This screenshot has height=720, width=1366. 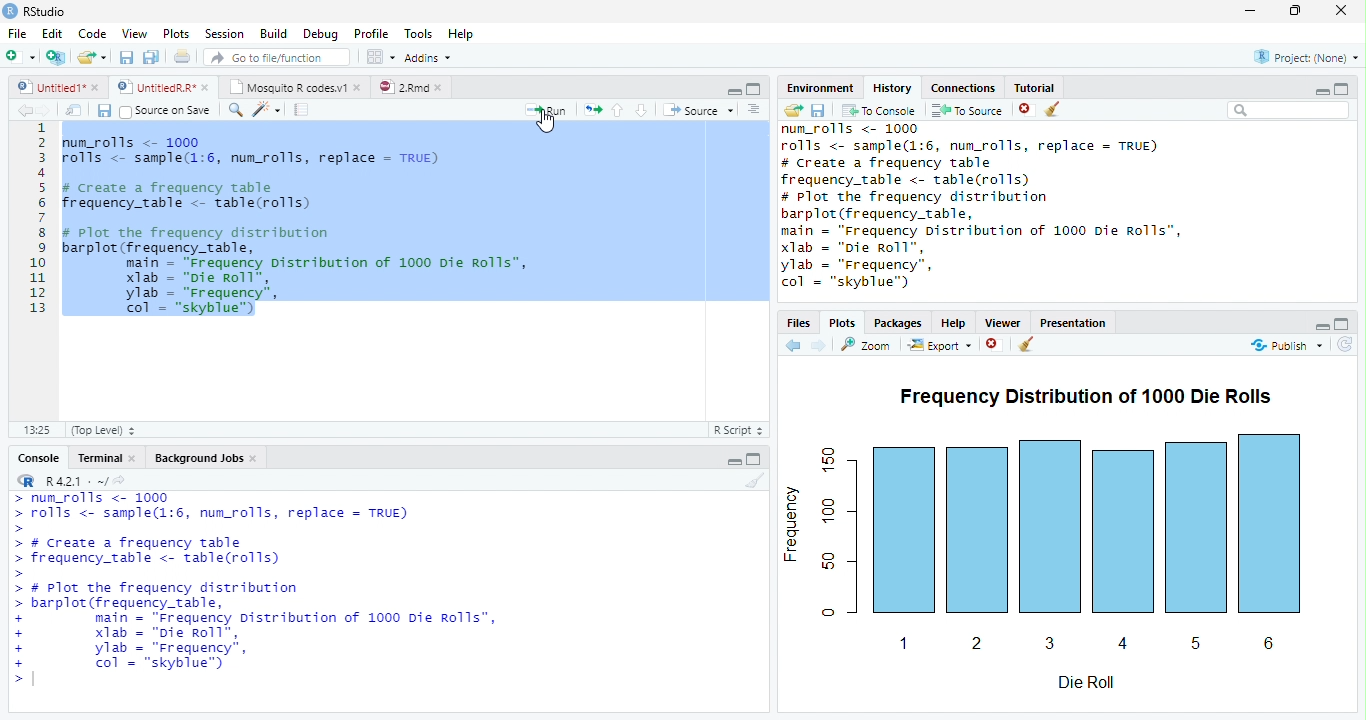 What do you see at coordinates (1305, 55) in the screenshot?
I see `Project: (None)` at bounding box center [1305, 55].